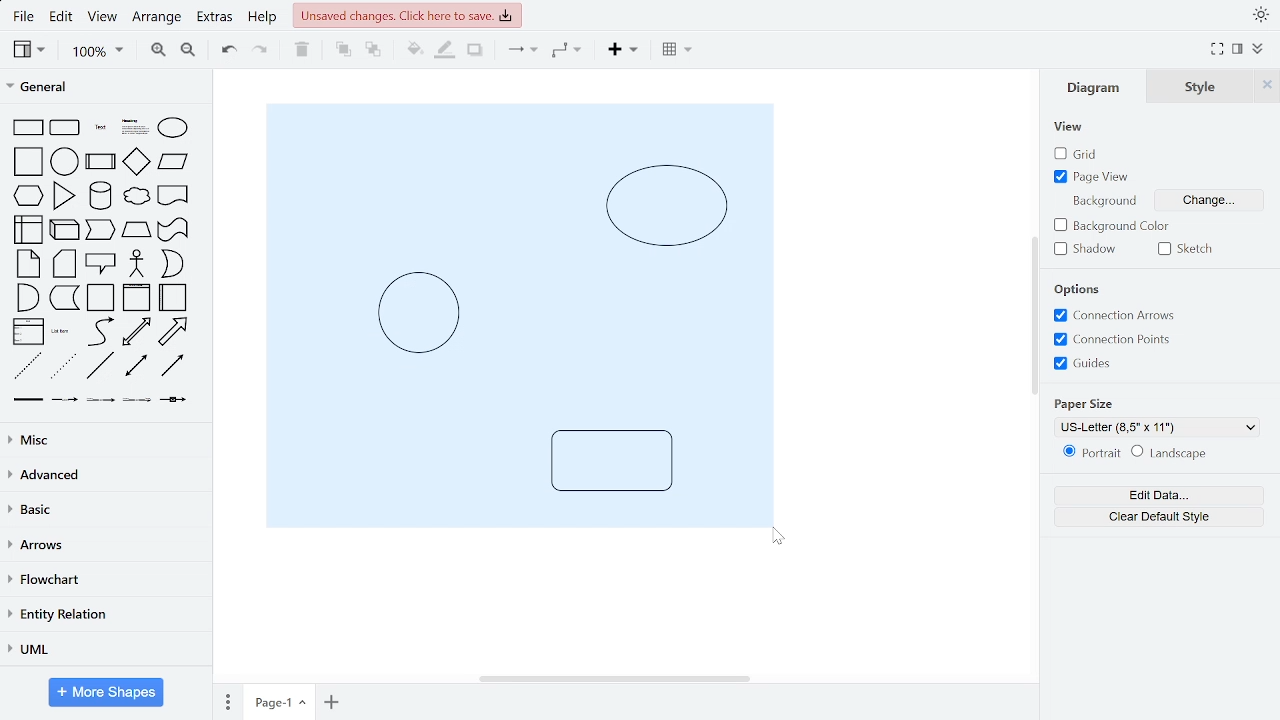 The image size is (1280, 720). Describe the element at coordinates (137, 230) in the screenshot. I see `trapezoid` at that location.